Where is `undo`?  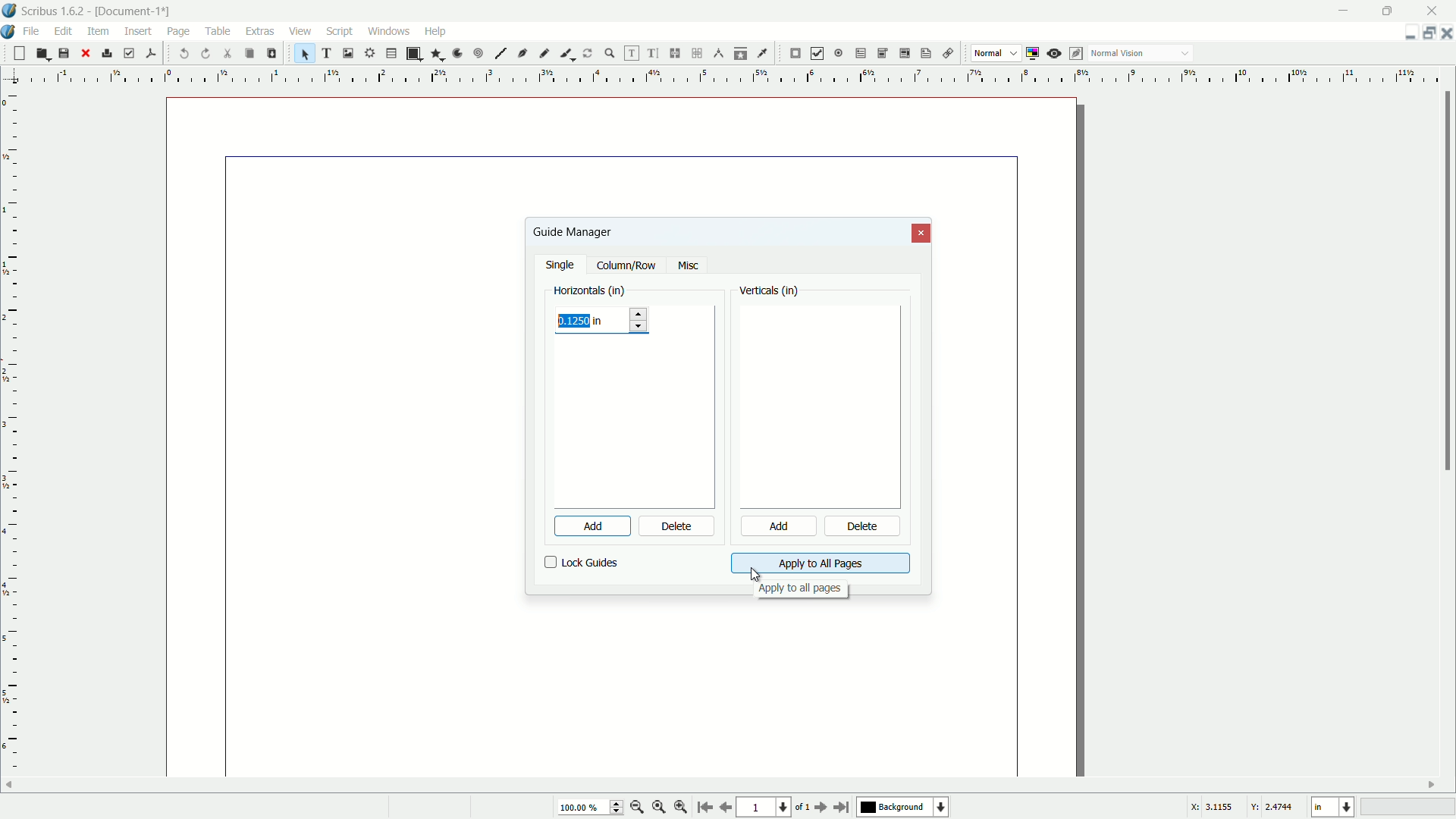
undo is located at coordinates (185, 54).